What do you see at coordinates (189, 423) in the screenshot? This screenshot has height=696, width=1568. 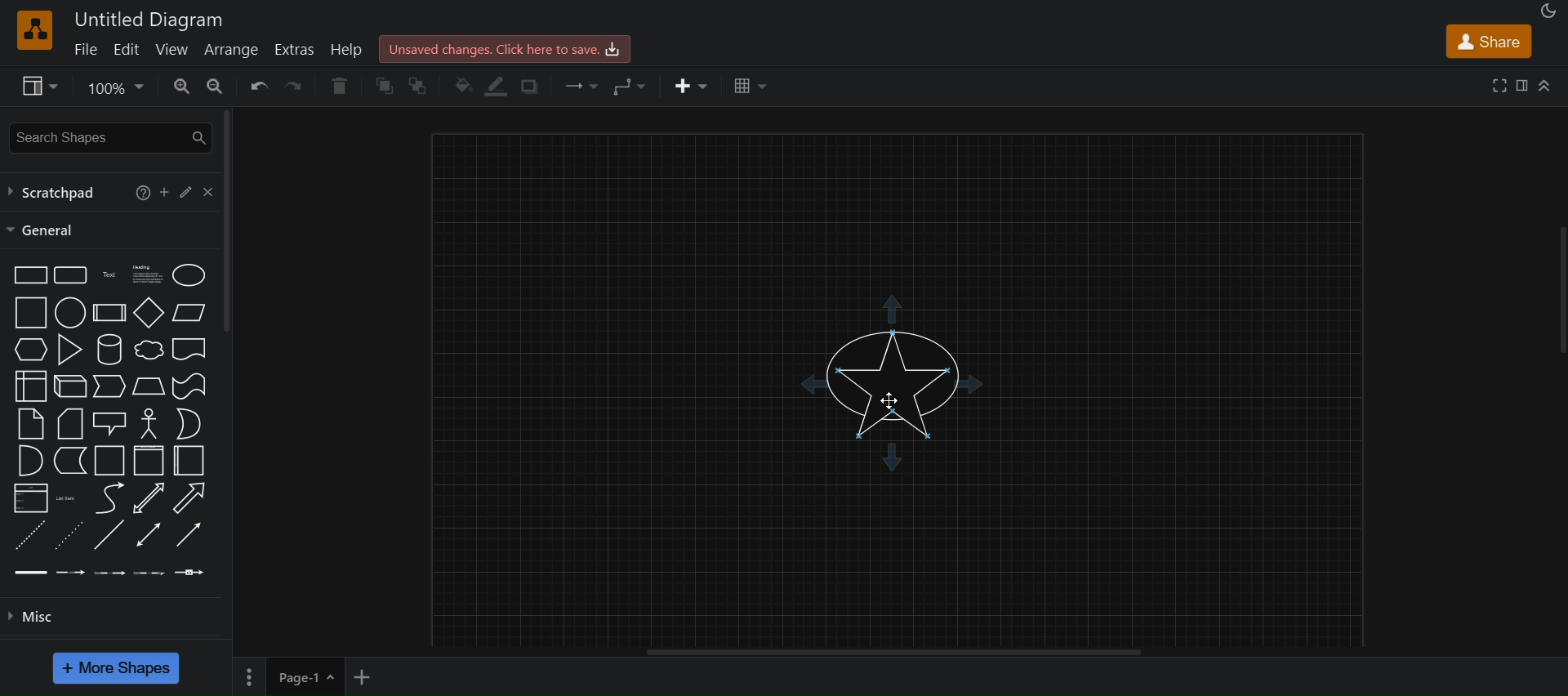 I see `or` at bounding box center [189, 423].